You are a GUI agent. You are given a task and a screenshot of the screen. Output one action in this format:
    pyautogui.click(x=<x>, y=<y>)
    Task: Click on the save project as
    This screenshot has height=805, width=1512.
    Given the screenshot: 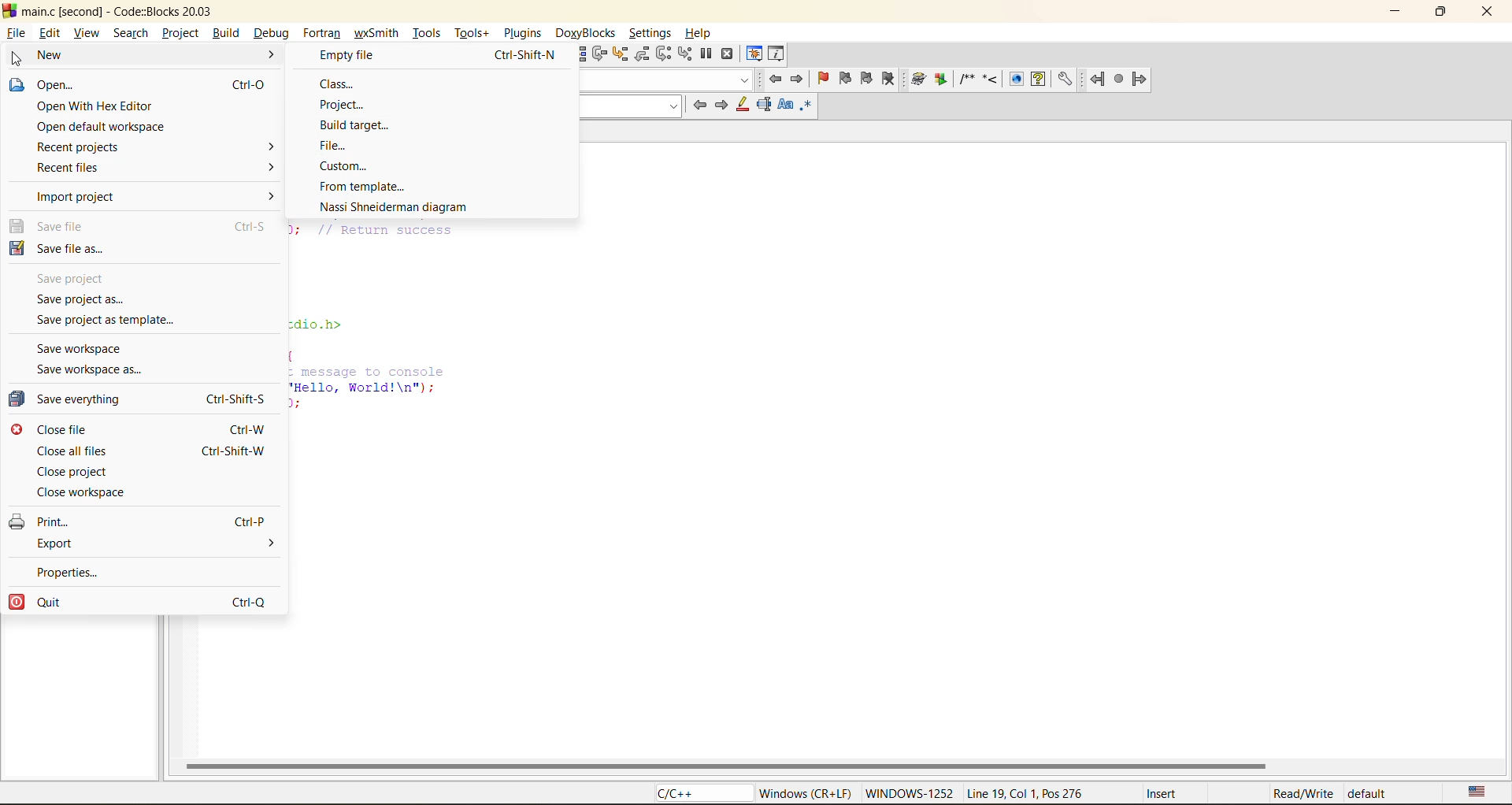 What is the action you would take?
    pyautogui.click(x=78, y=298)
    